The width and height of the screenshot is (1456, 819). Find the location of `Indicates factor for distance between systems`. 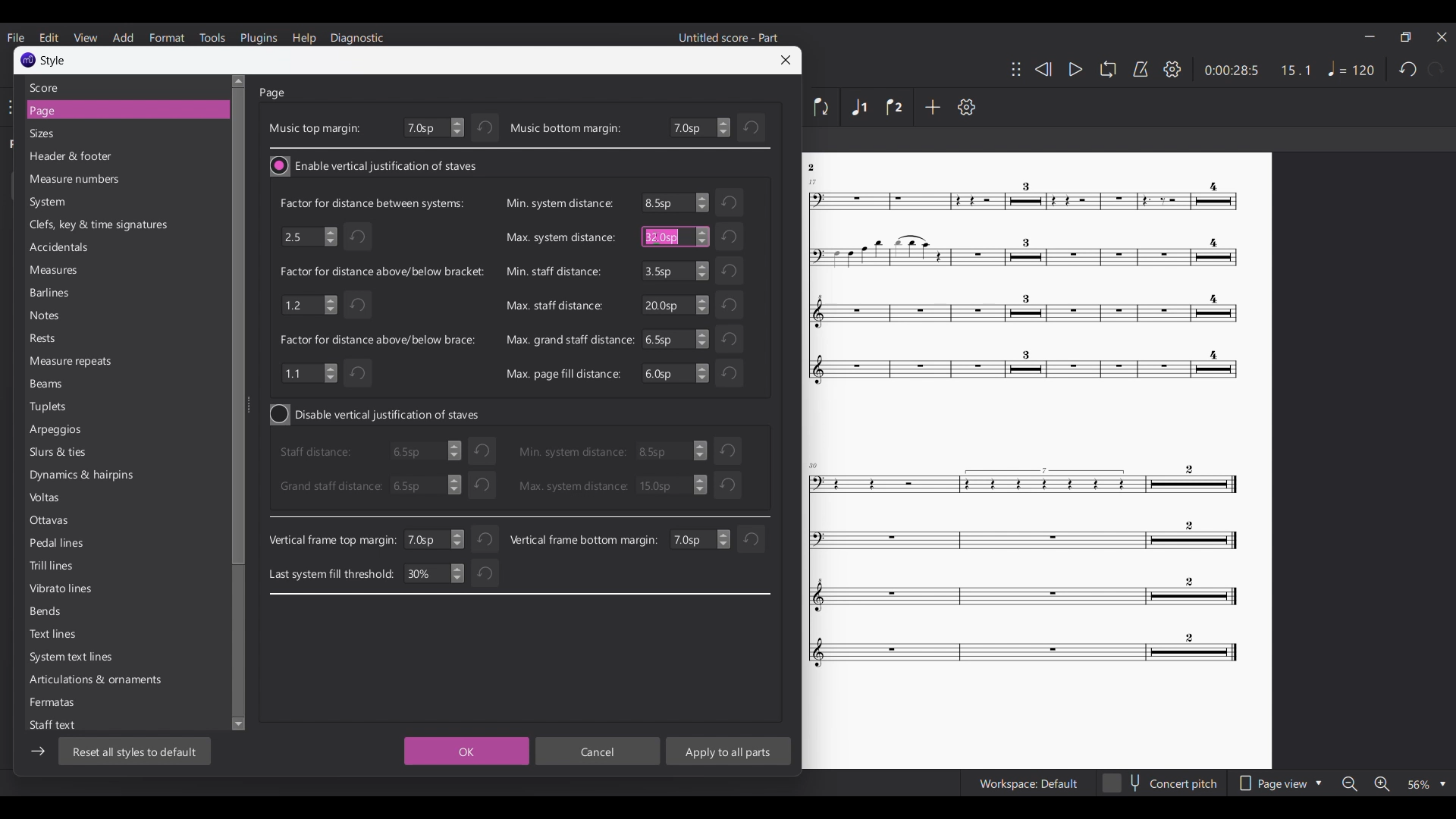

Indicates factor for distance between systems is located at coordinates (371, 202).